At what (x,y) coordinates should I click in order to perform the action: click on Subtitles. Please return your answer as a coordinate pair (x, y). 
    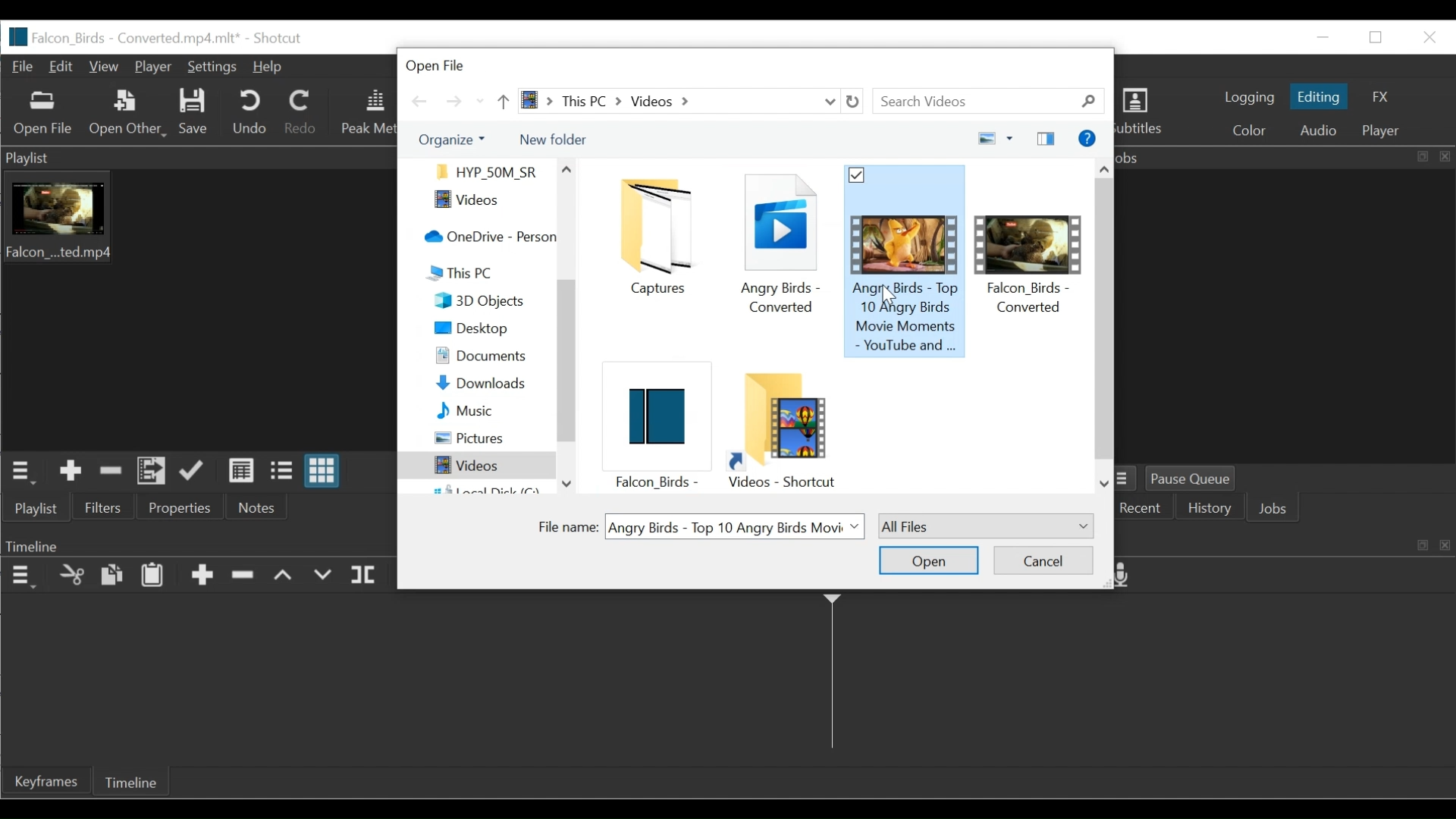
    Looking at the image, I should click on (1145, 114).